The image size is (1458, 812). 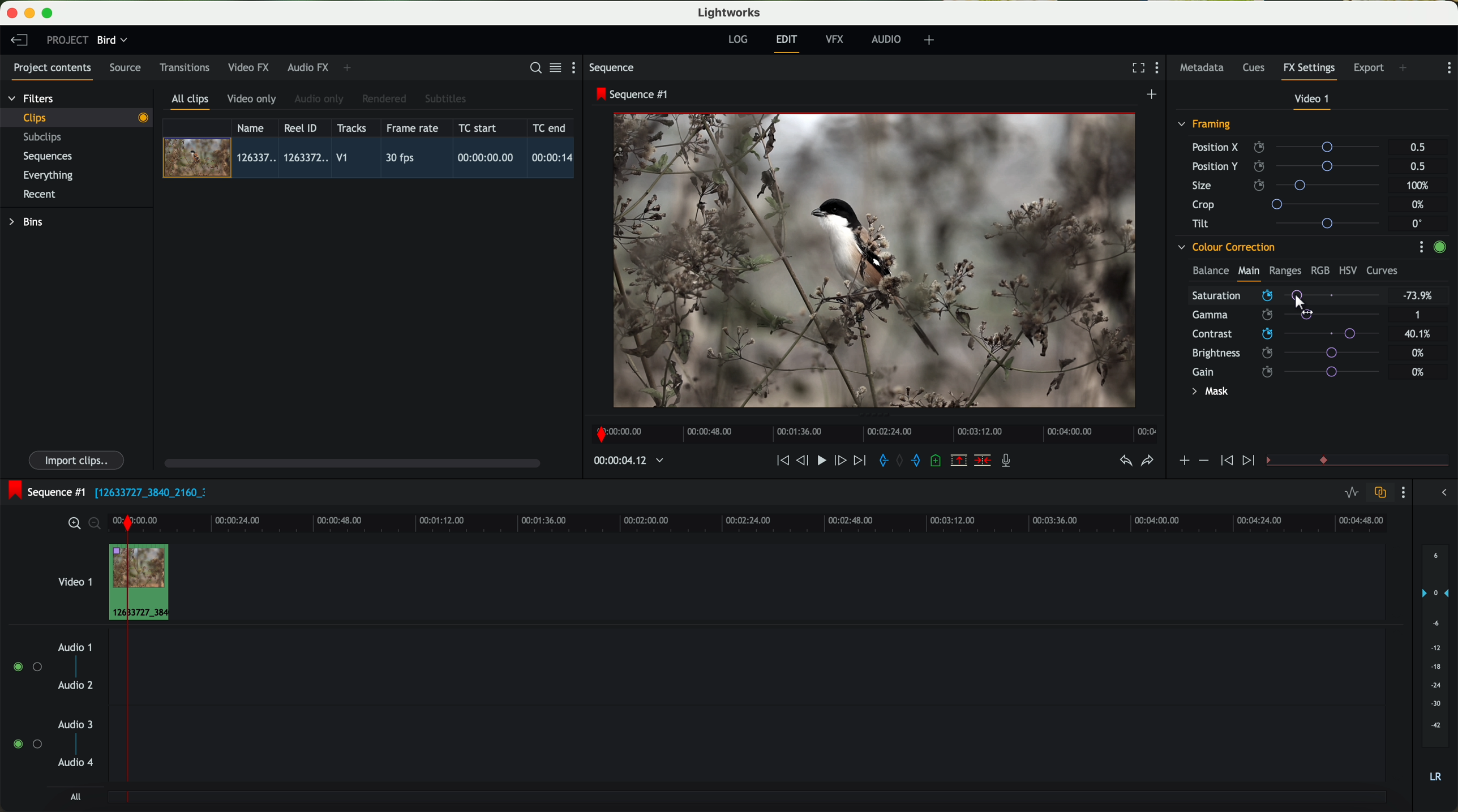 What do you see at coordinates (877, 260) in the screenshot?
I see `applied effect` at bounding box center [877, 260].